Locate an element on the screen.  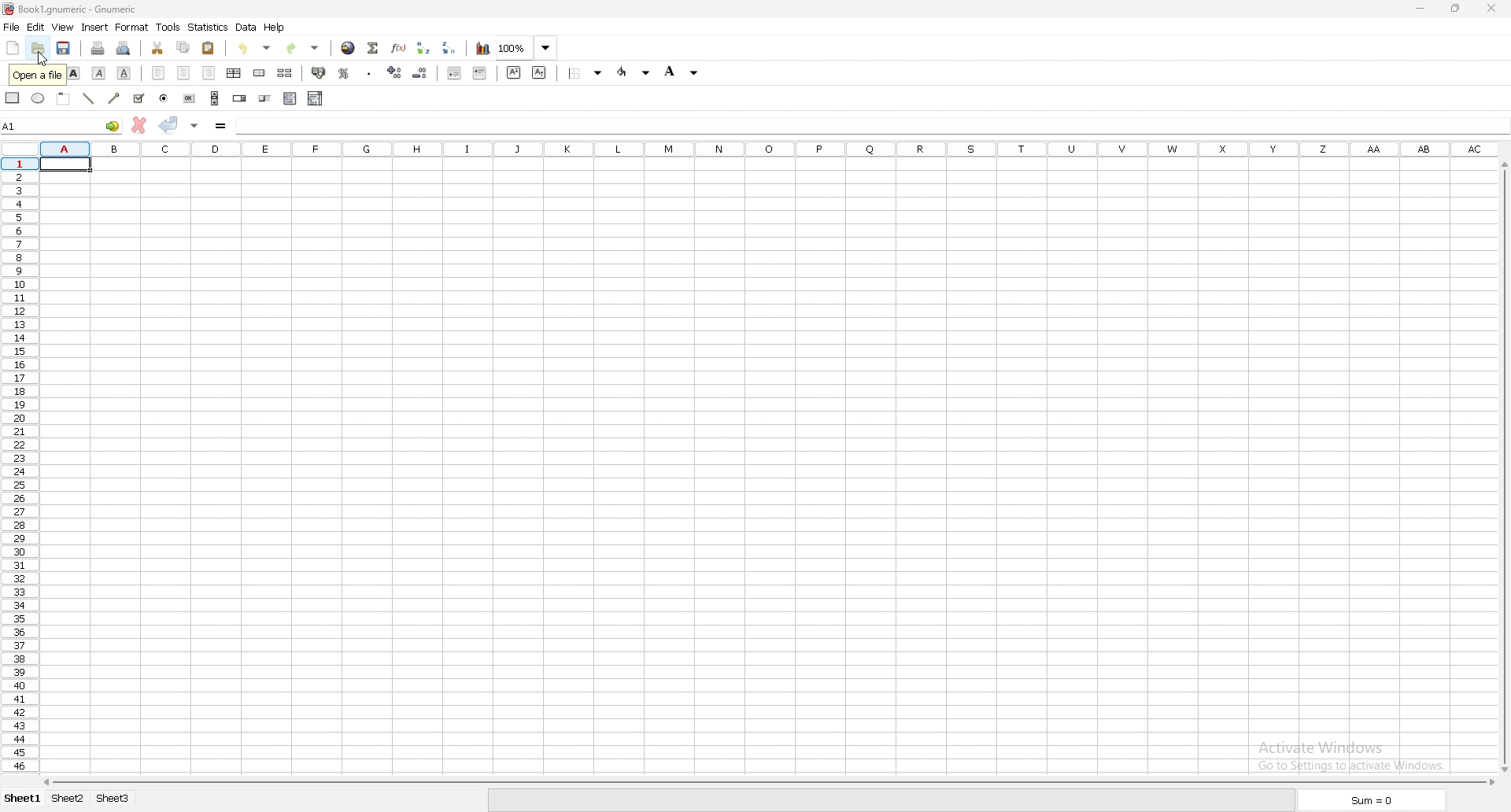
thousands separator is located at coordinates (369, 72).